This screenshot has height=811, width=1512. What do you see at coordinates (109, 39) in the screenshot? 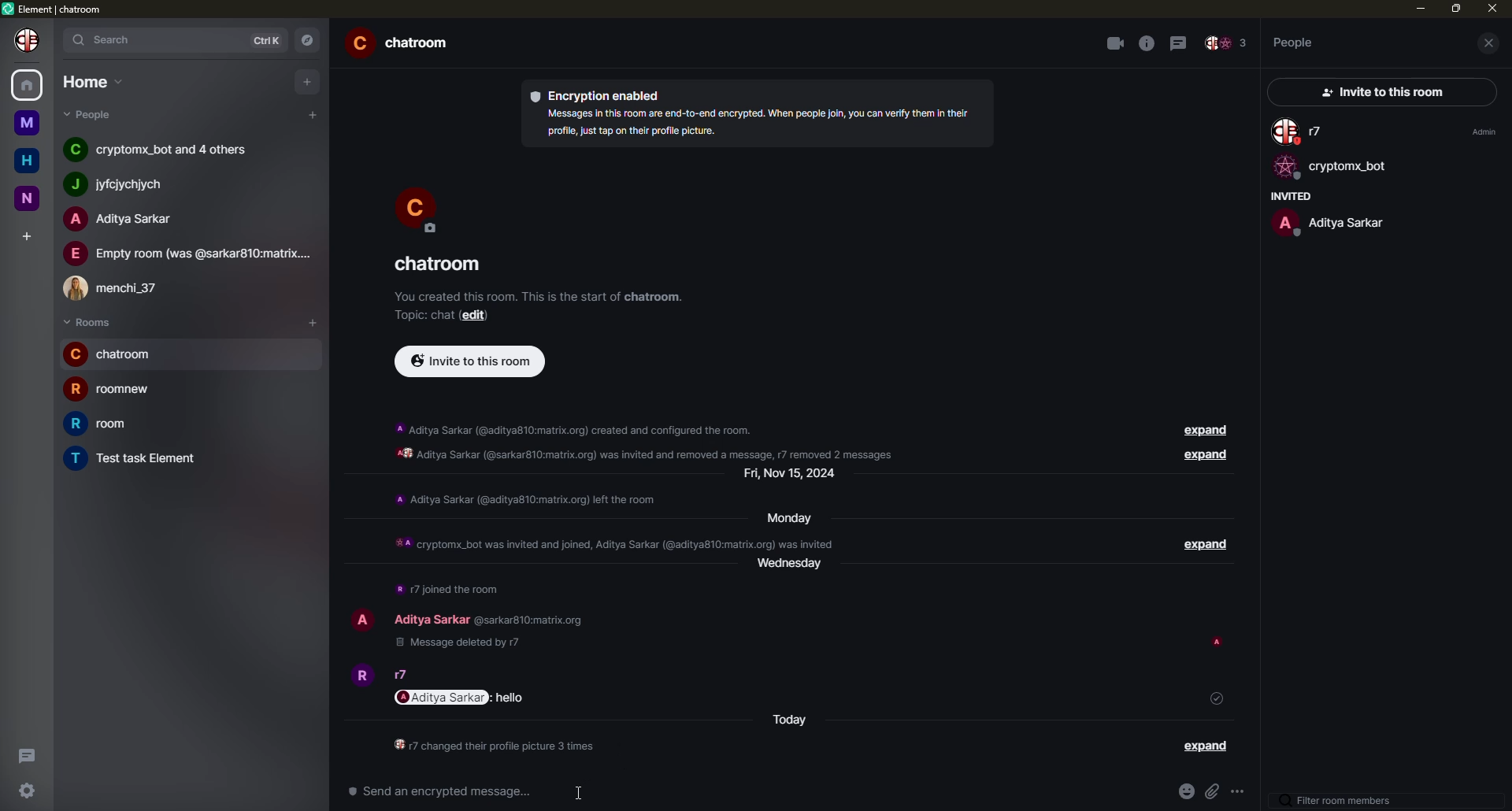
I see `search` at bounding box center [109, 39].